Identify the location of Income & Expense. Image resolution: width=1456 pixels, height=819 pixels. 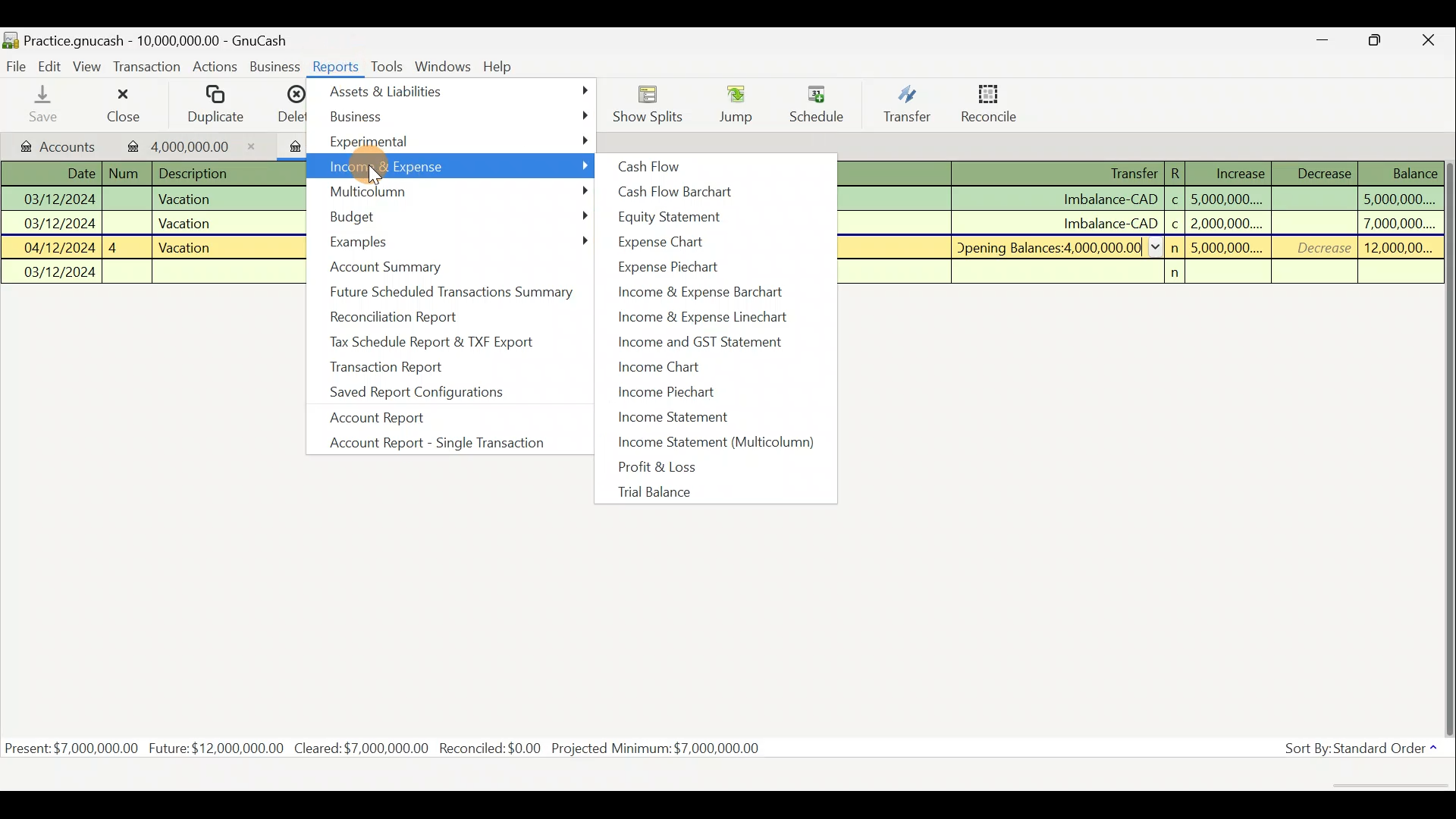
(453, 166).